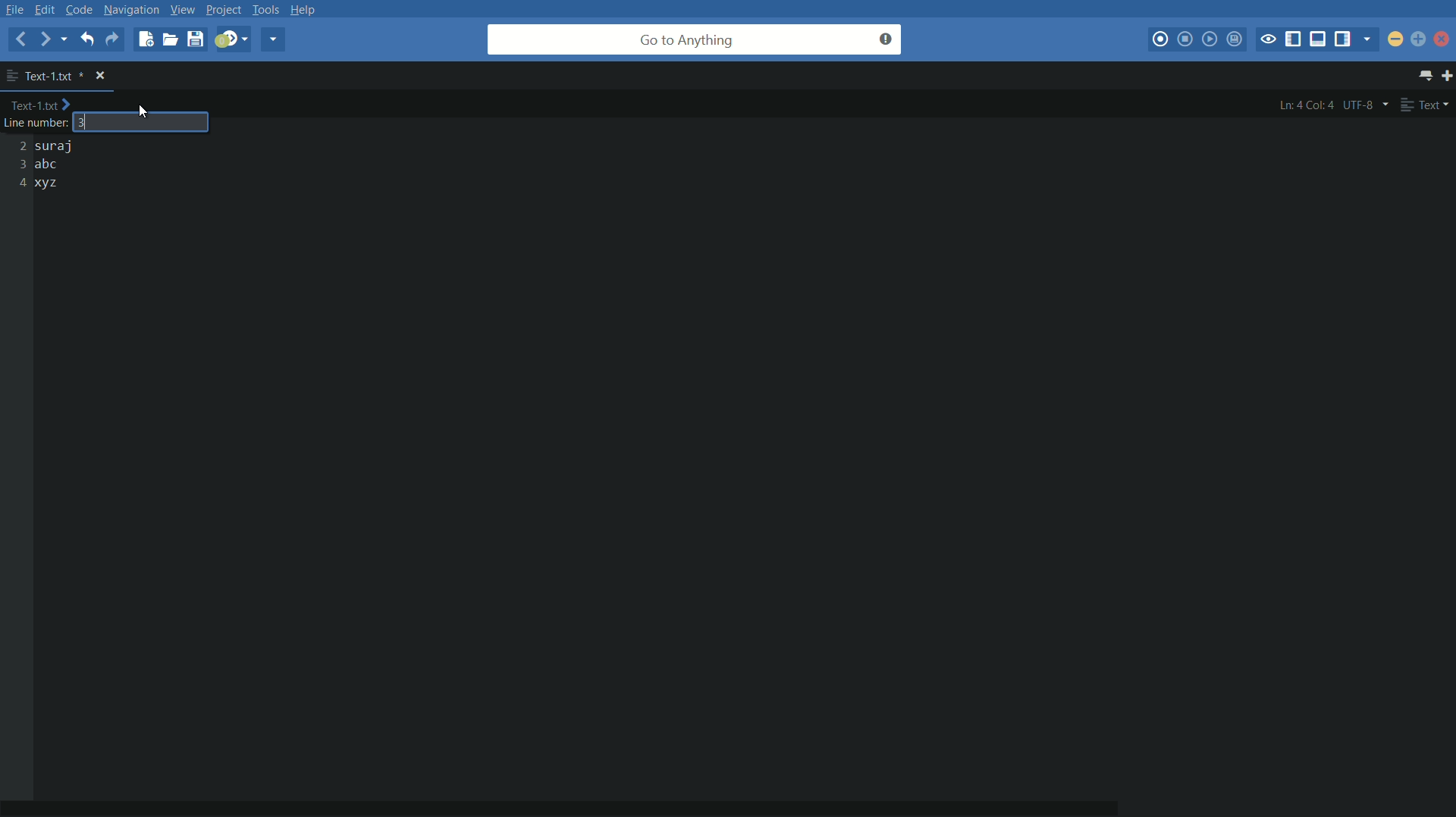  I want to click on redo, so click(111, 38).